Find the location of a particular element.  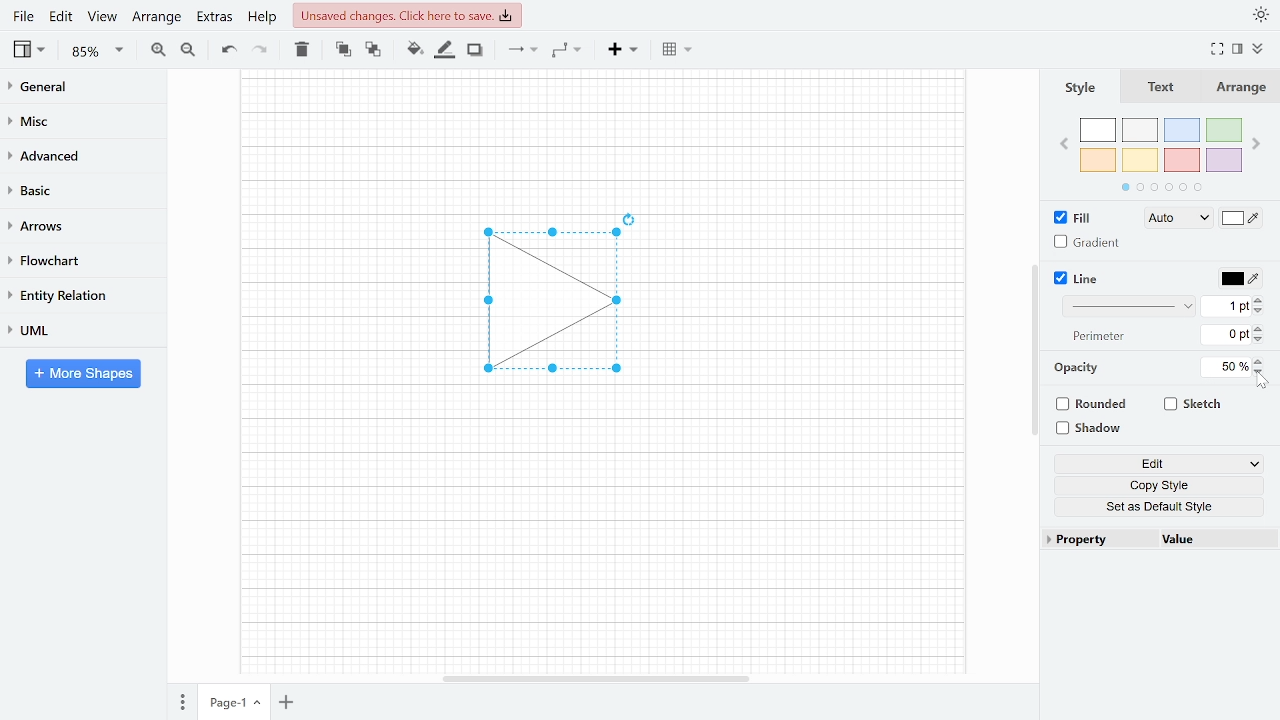

Fullscreen is located at coordinates (1220, 49).